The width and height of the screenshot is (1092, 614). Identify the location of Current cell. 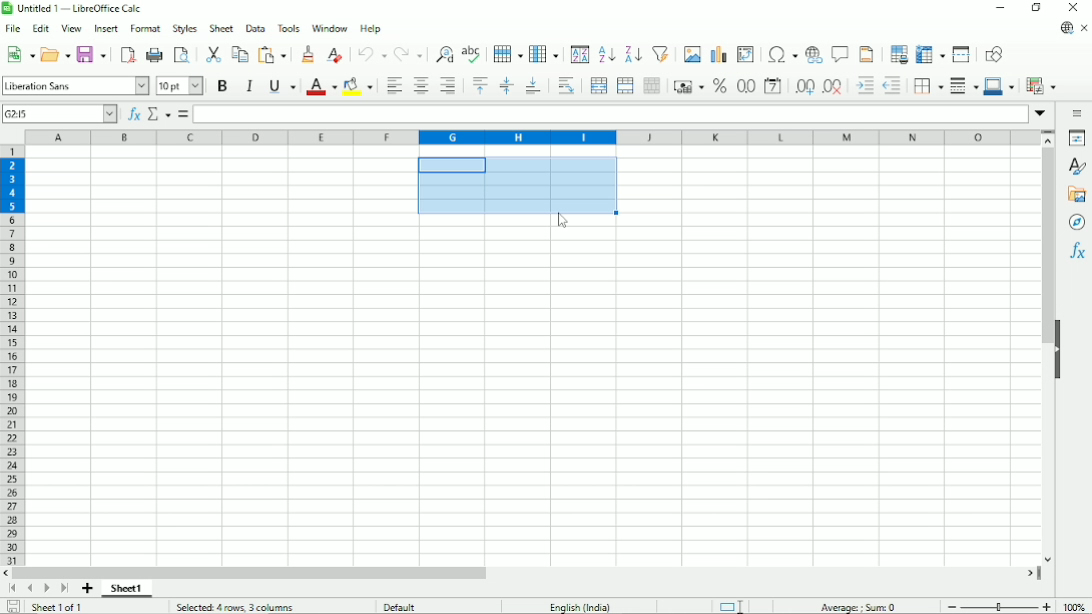
(59, 113).